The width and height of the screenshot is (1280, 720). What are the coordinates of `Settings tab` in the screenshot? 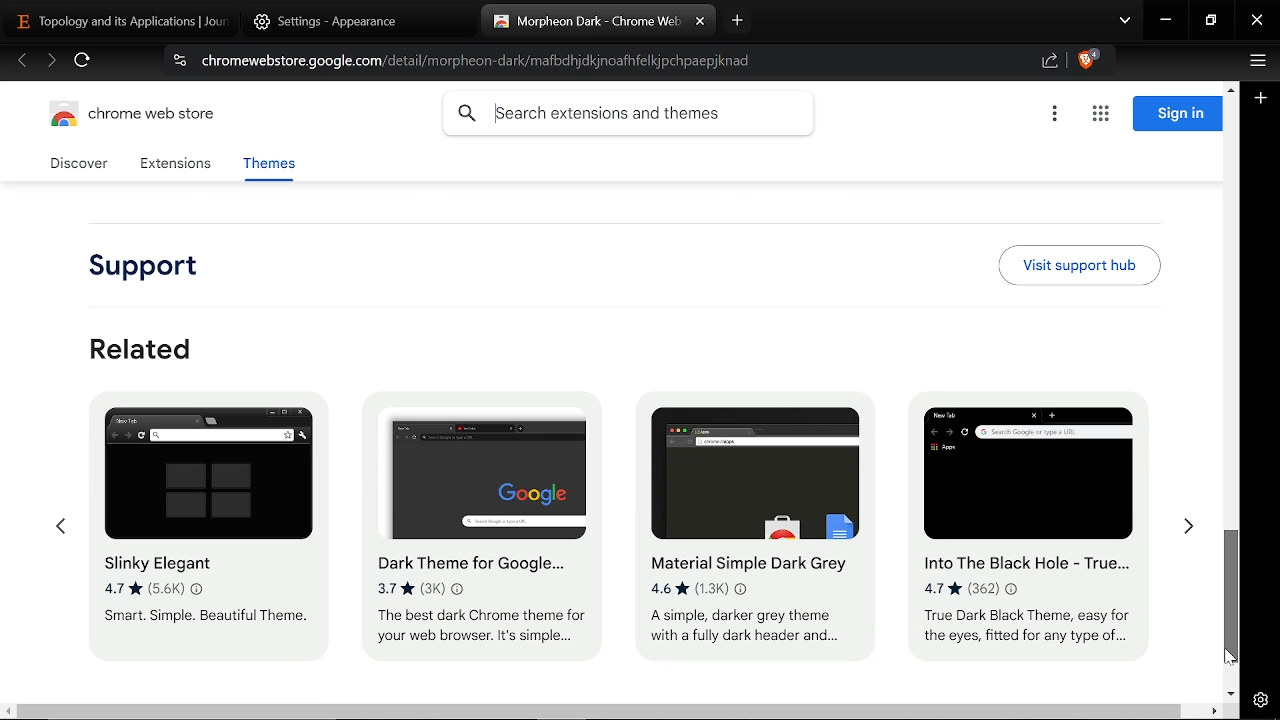 It's located at (347, 21).